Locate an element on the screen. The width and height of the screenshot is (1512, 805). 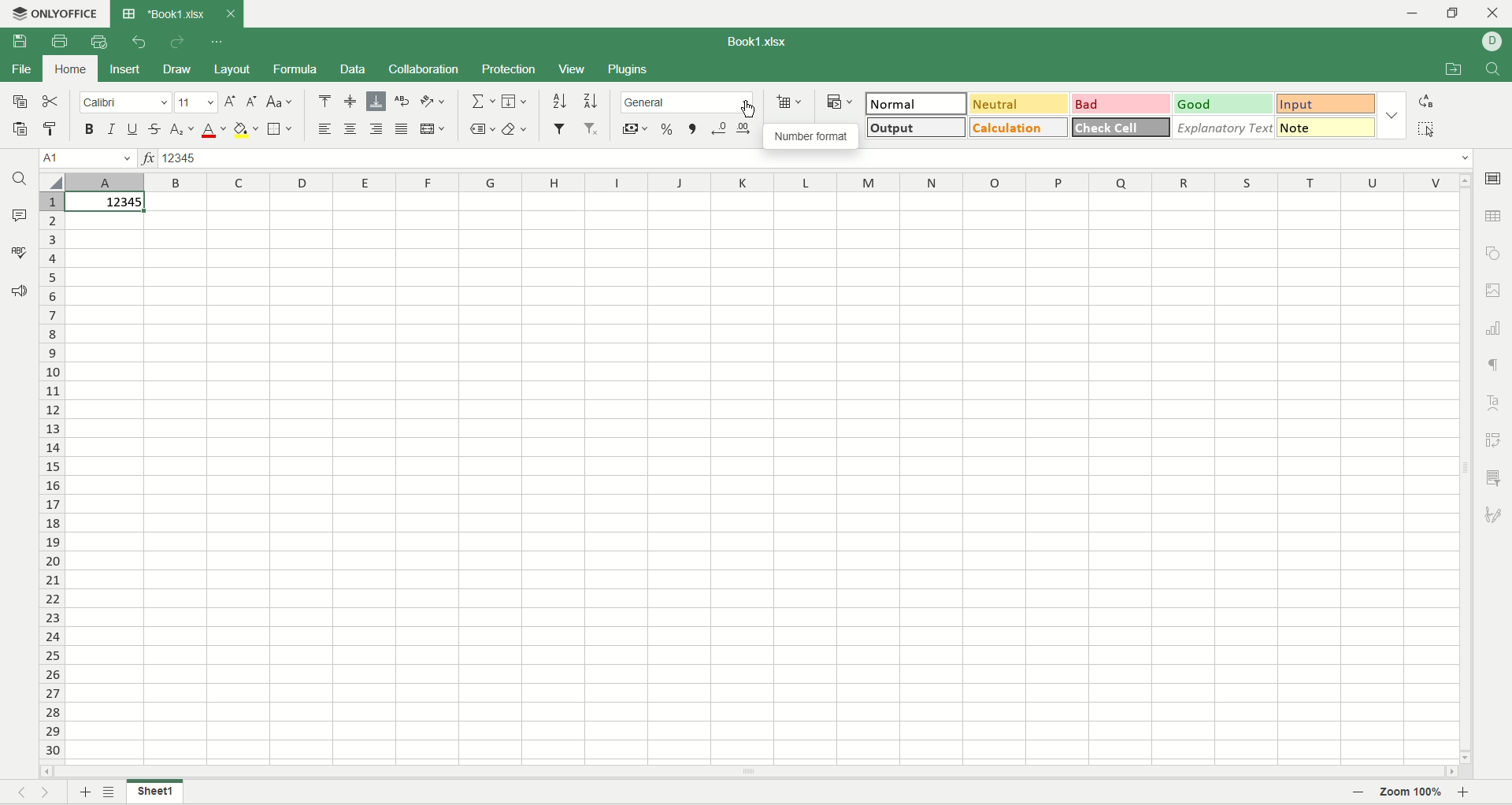
named ranges is located at coordinates (484, 130).